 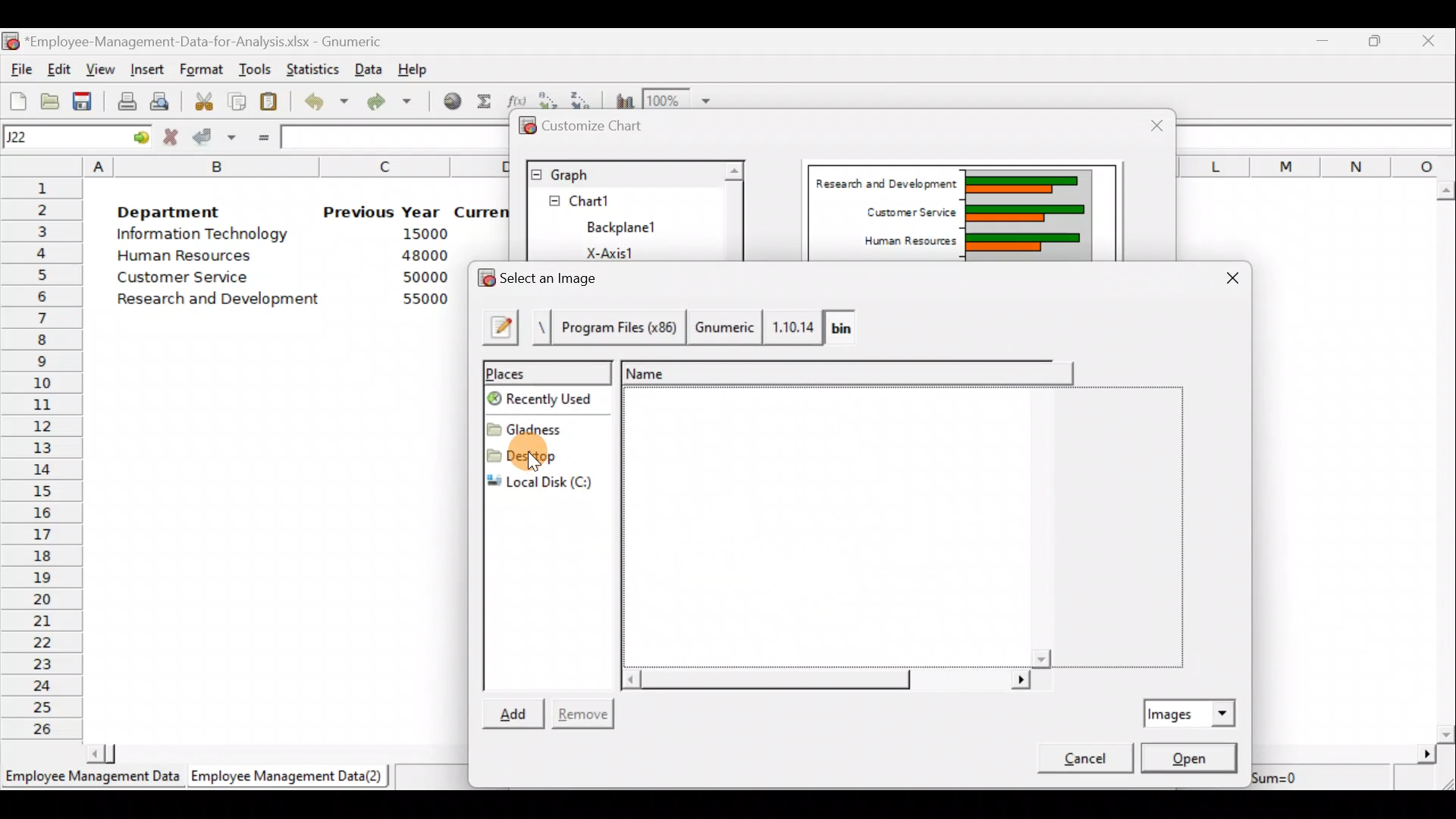 I want to click on Enter formula, so click(x=261, y=138).